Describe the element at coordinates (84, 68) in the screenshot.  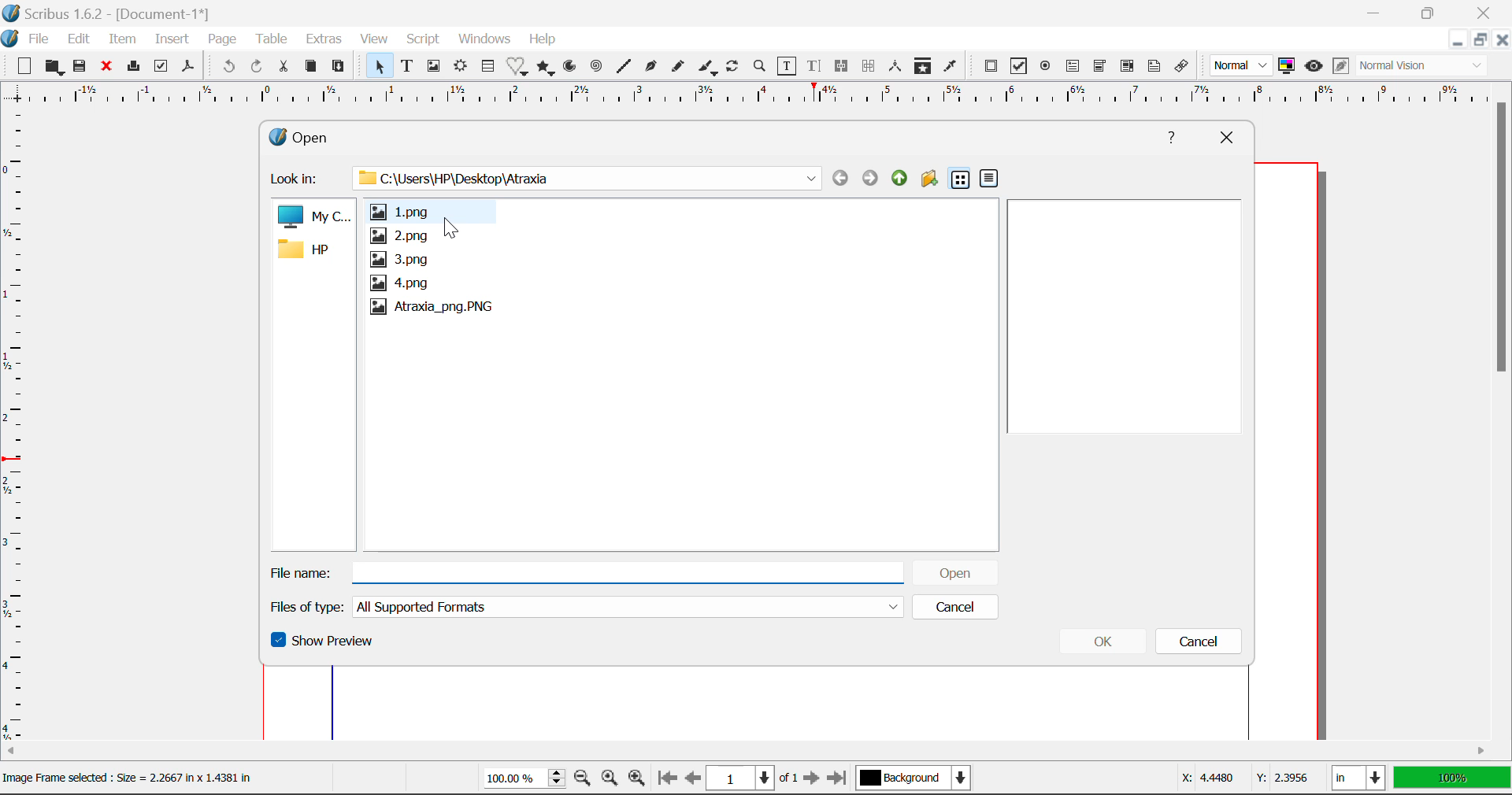
I see `Save` at that location.